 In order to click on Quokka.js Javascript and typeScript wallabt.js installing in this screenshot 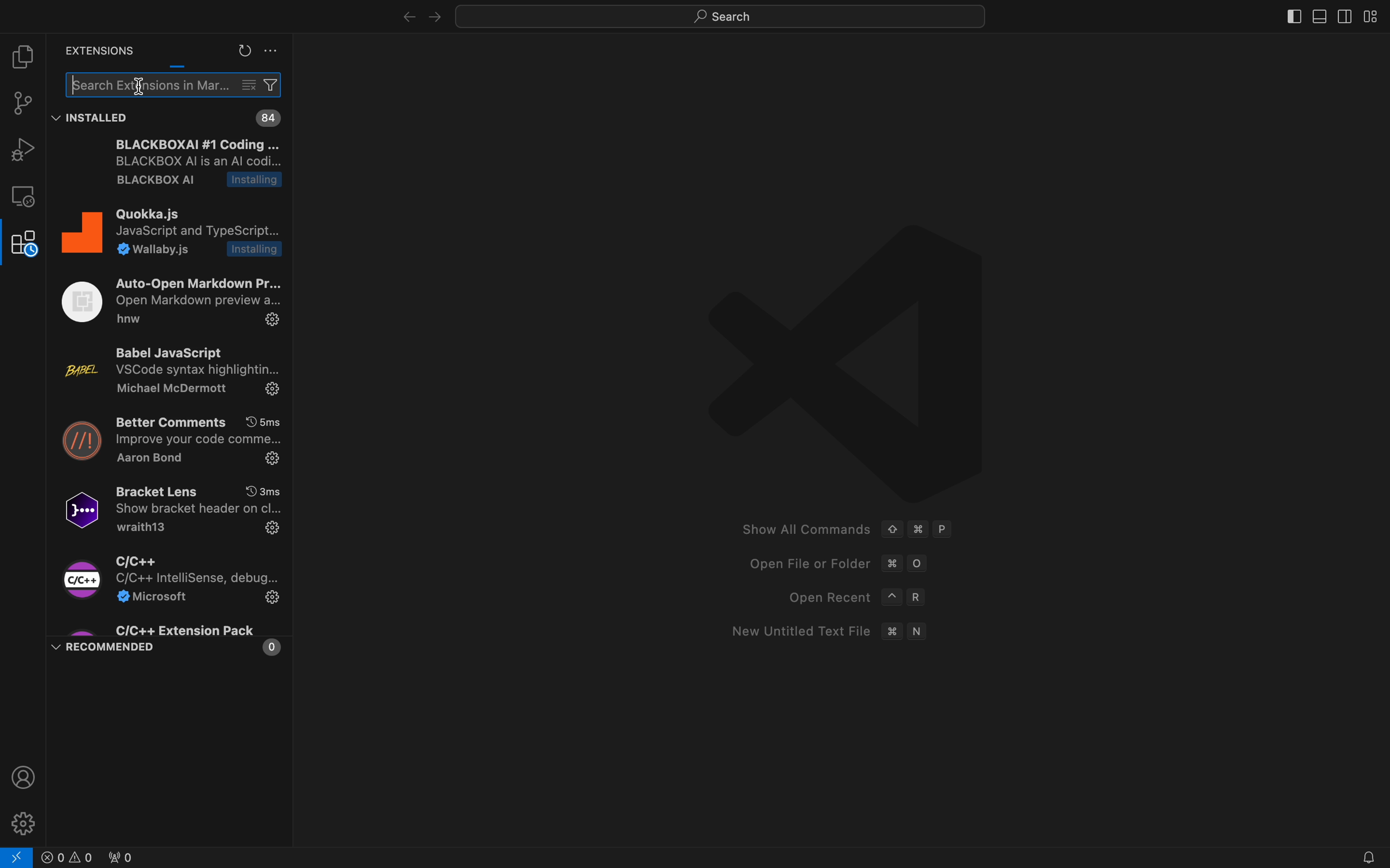, I will do `click(167, 234)`.